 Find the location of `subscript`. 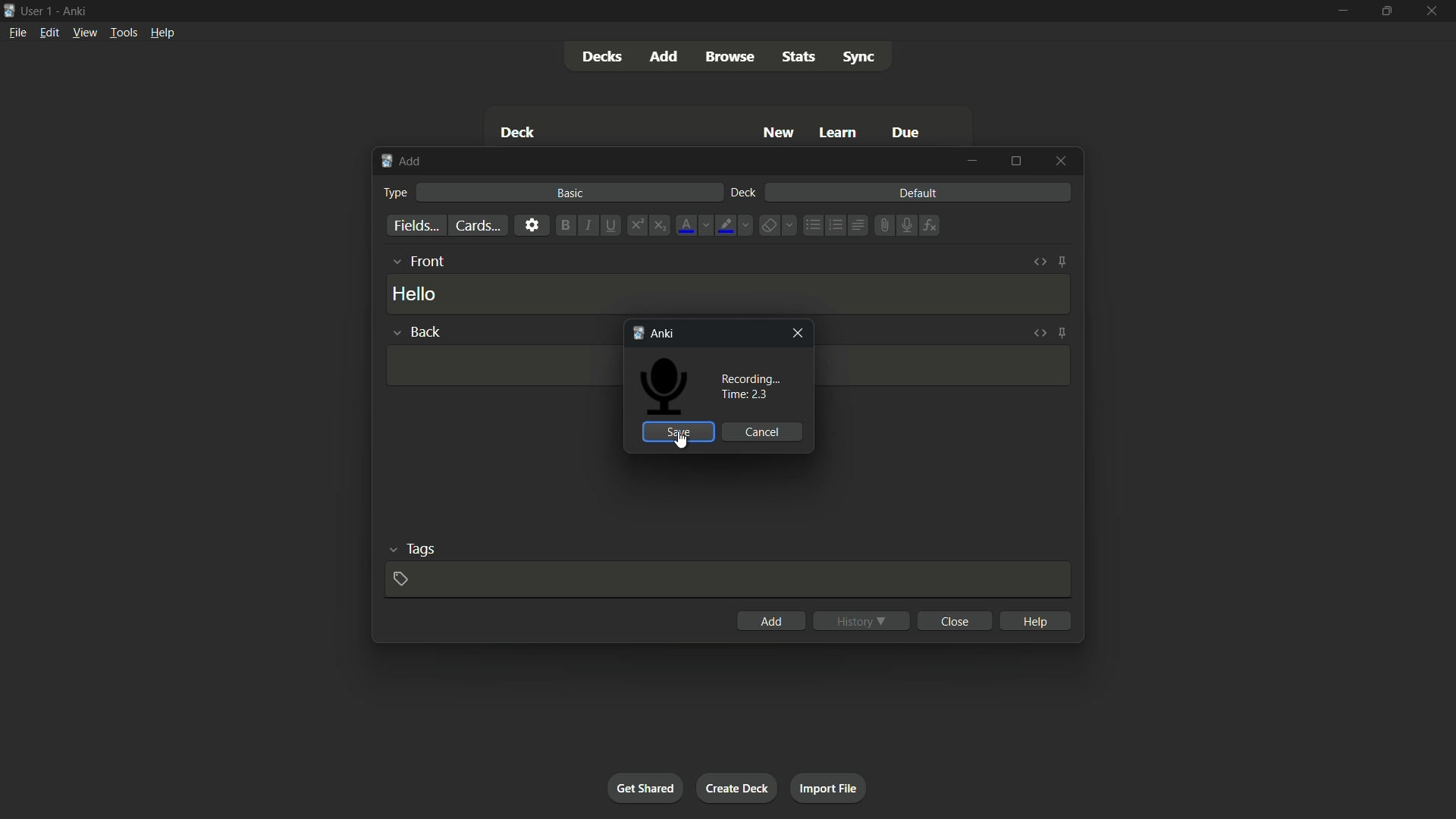

subscript is located at coordinates (660, 225).